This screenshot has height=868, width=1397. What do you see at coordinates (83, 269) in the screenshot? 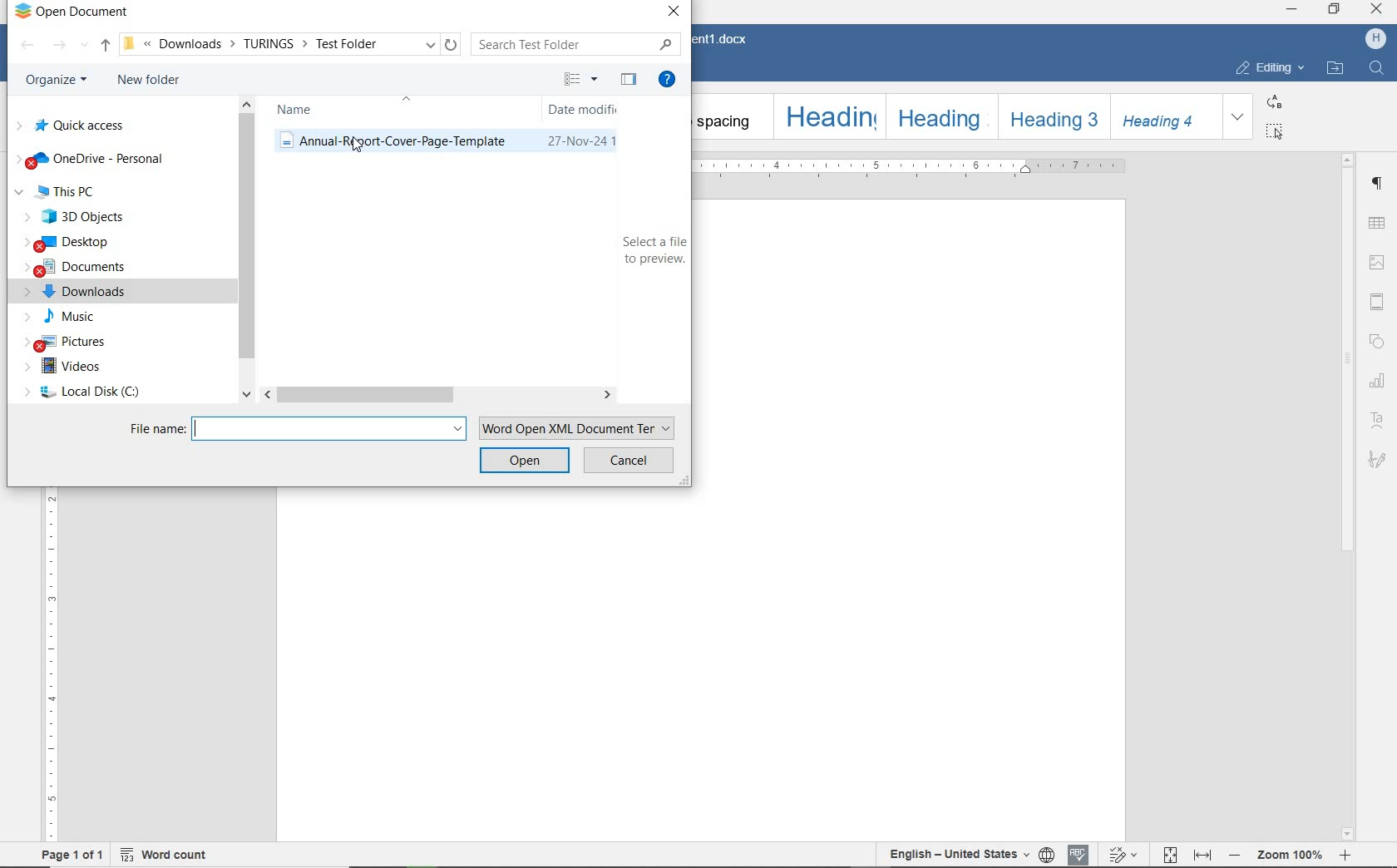
I see `documents` at bounding box center [83, 269].